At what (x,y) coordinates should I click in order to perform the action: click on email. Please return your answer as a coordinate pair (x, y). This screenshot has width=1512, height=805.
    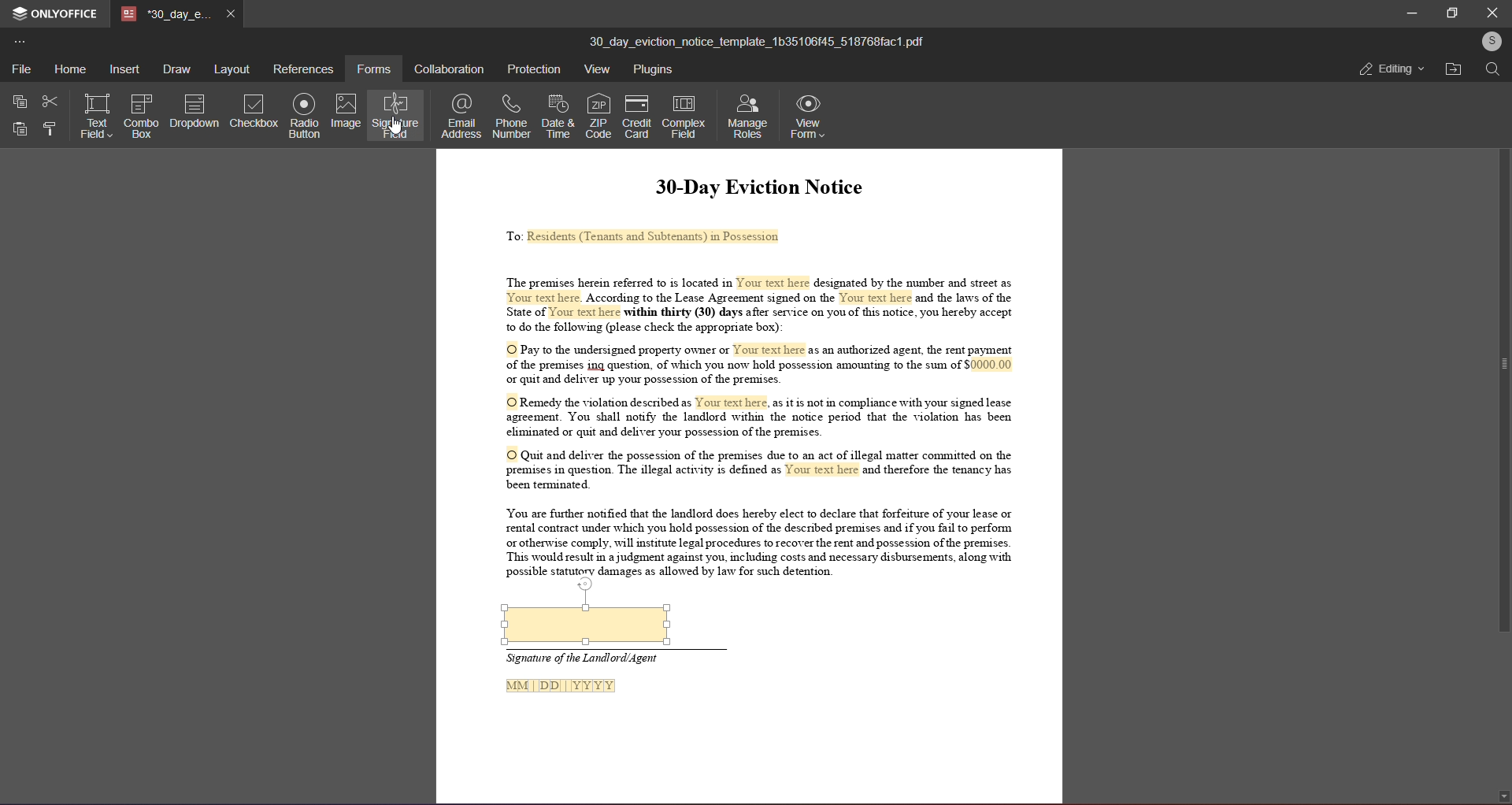
    Looking at the image, I should click on (460, 114).